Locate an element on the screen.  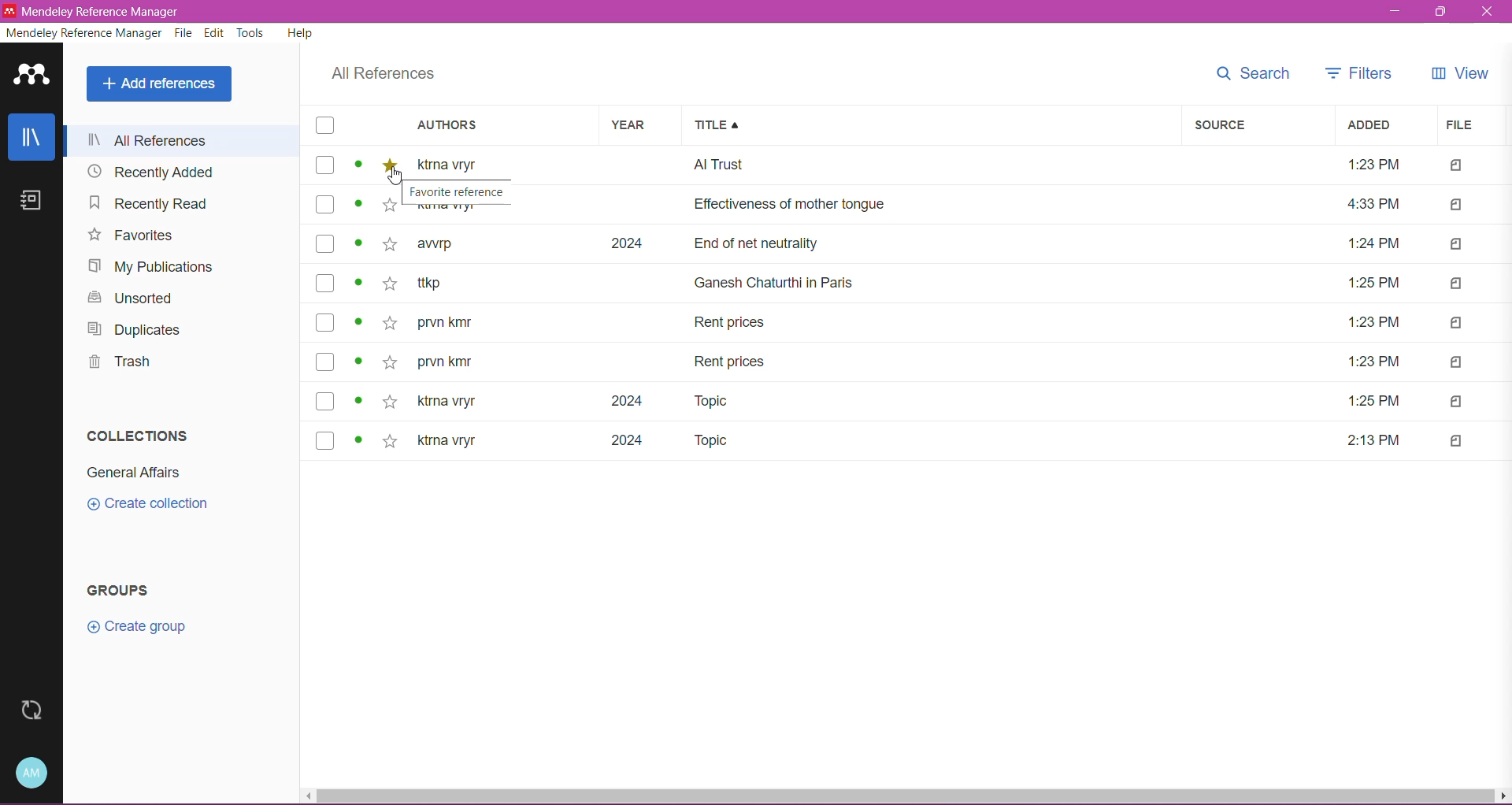
Mendeley Reference Manager is located at coordinates (102, 11).